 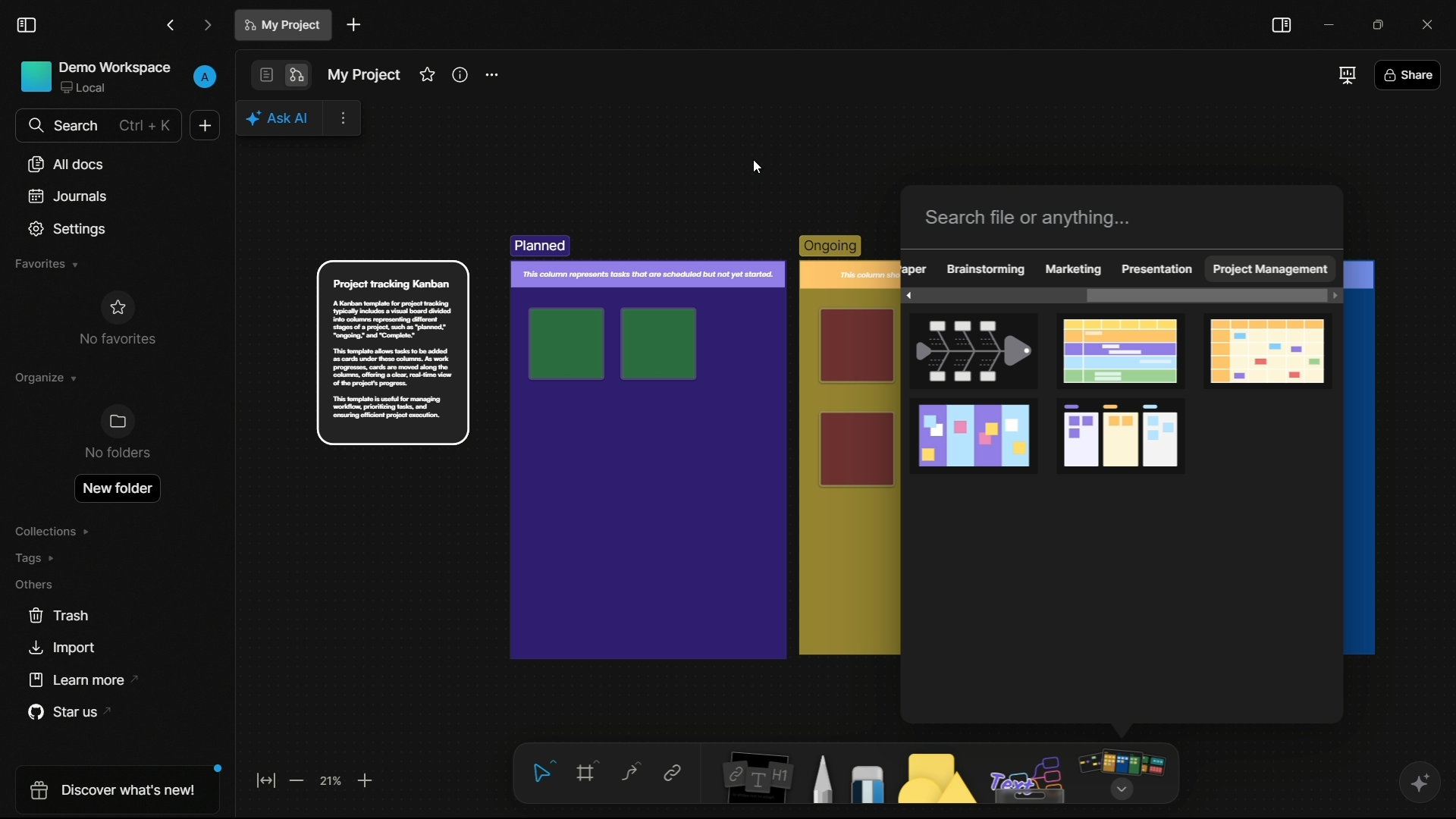 I want to click on share, so click(x=1407, y=77).